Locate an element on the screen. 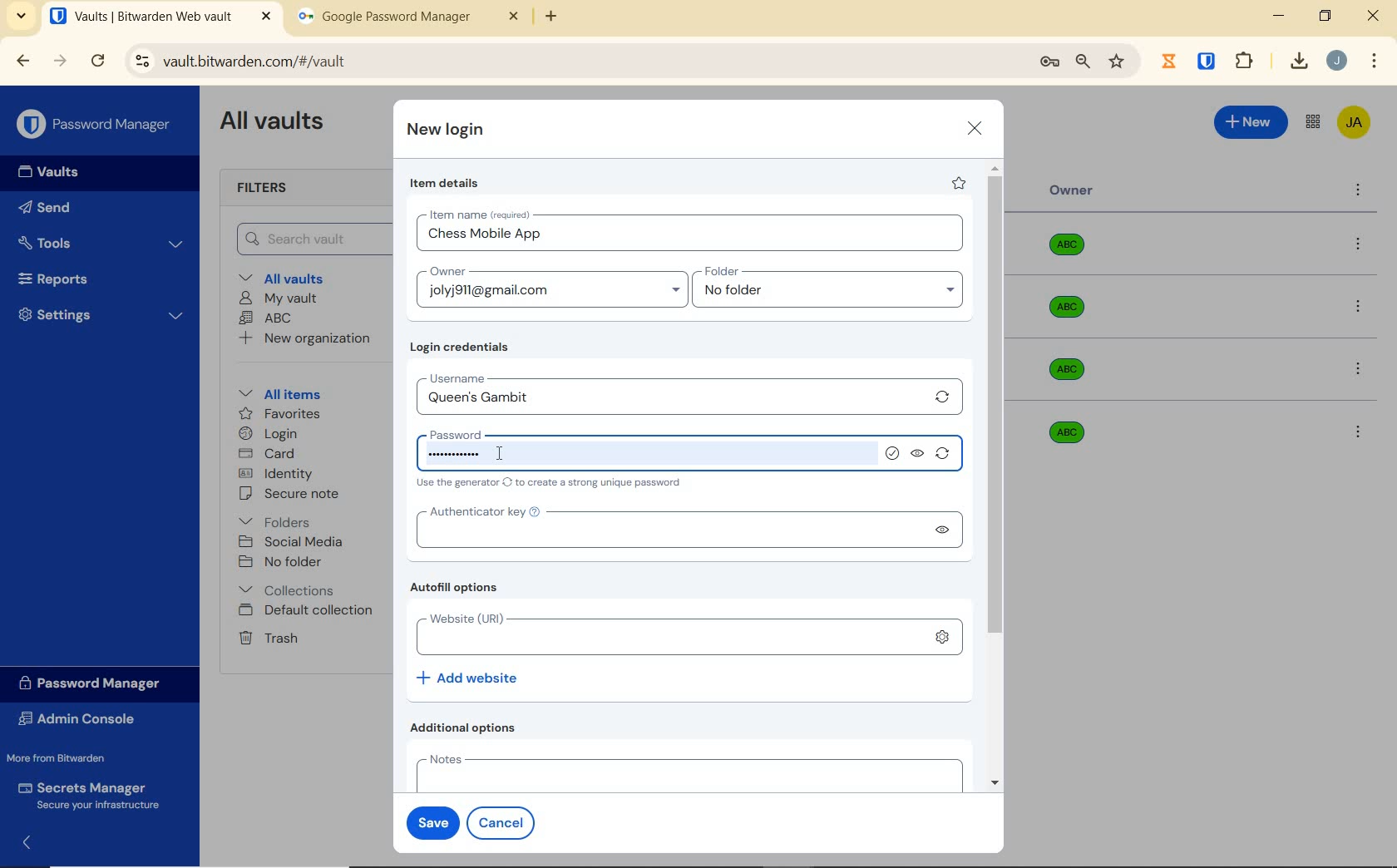 This screenshot has height=868, width=1397. Owner organization is located at coordinates (1070, 315).